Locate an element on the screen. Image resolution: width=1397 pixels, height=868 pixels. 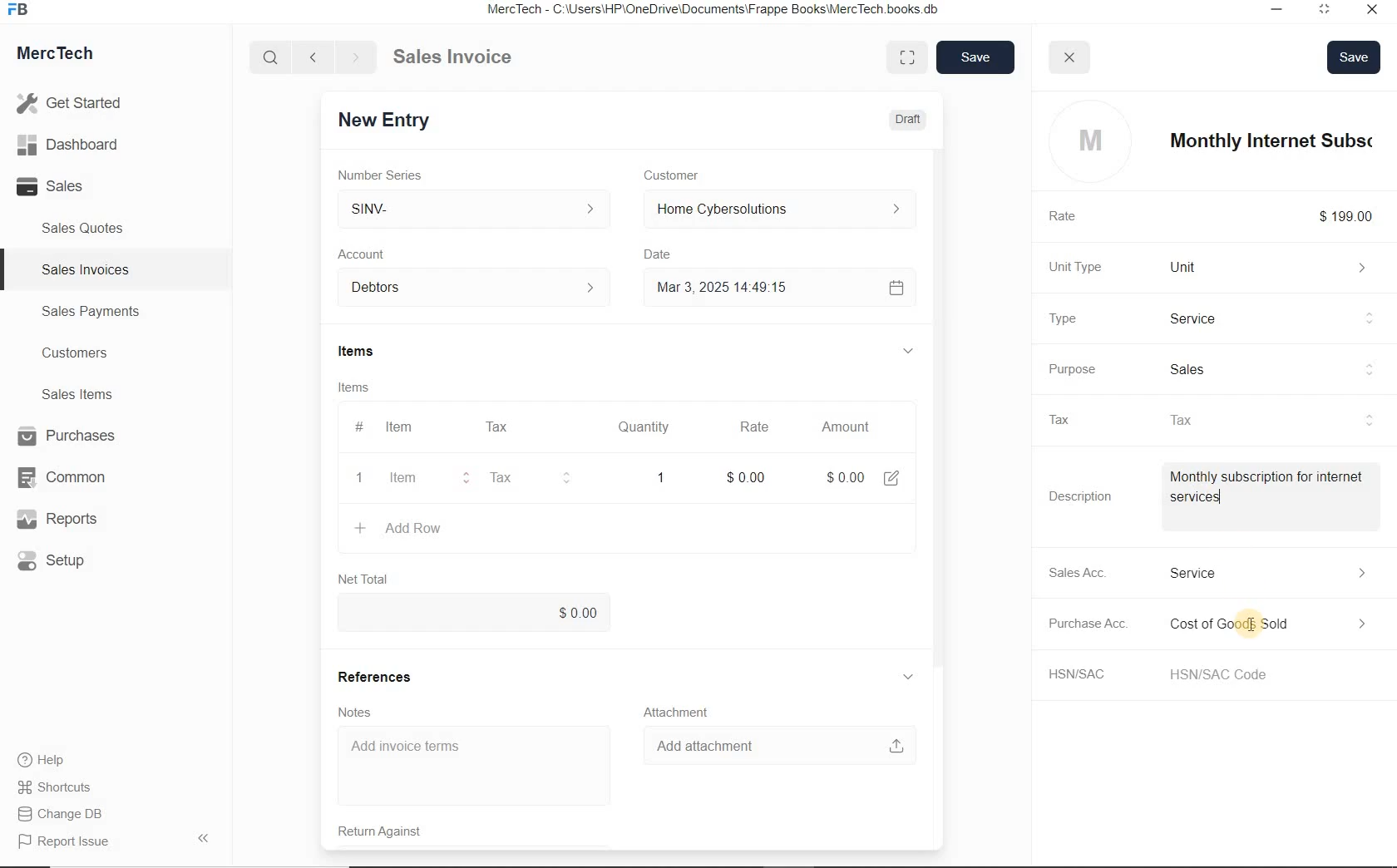
Return Against is located at coordinates (391, 830).